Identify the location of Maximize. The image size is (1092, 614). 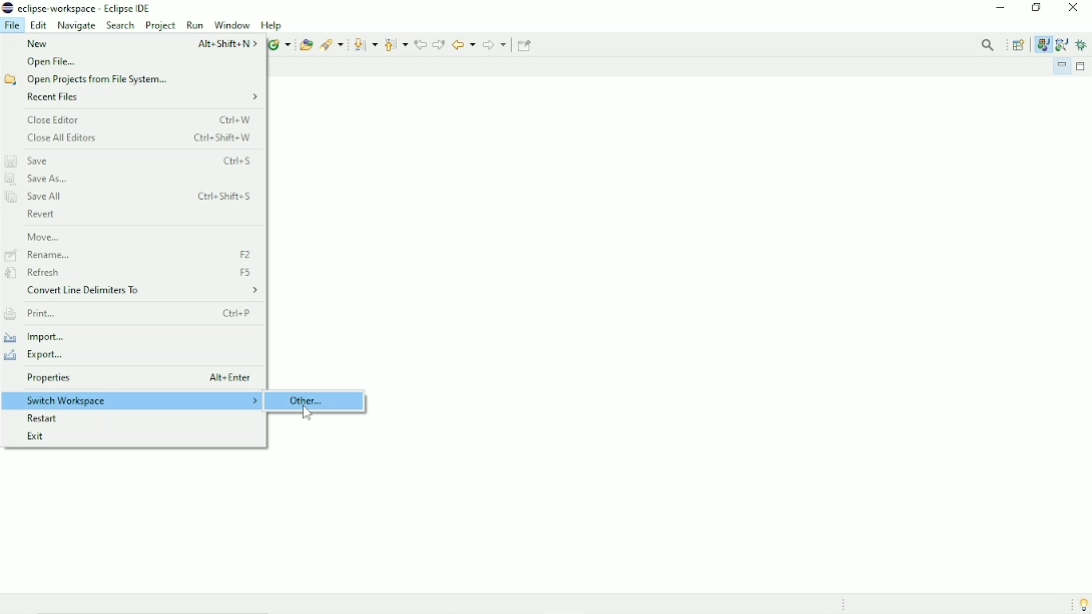
(1083, 67).